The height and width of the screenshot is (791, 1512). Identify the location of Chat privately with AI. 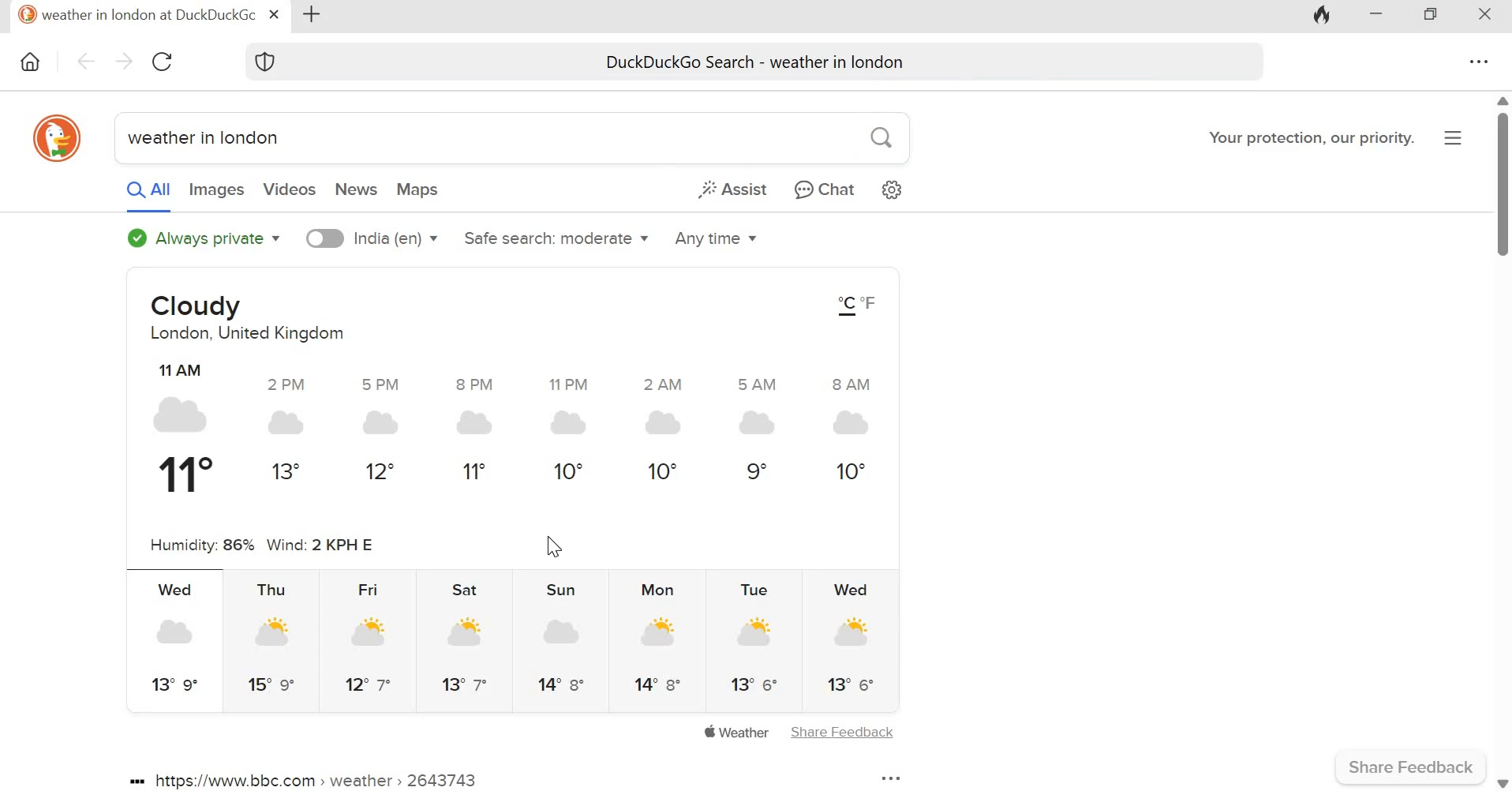
(825, 190).